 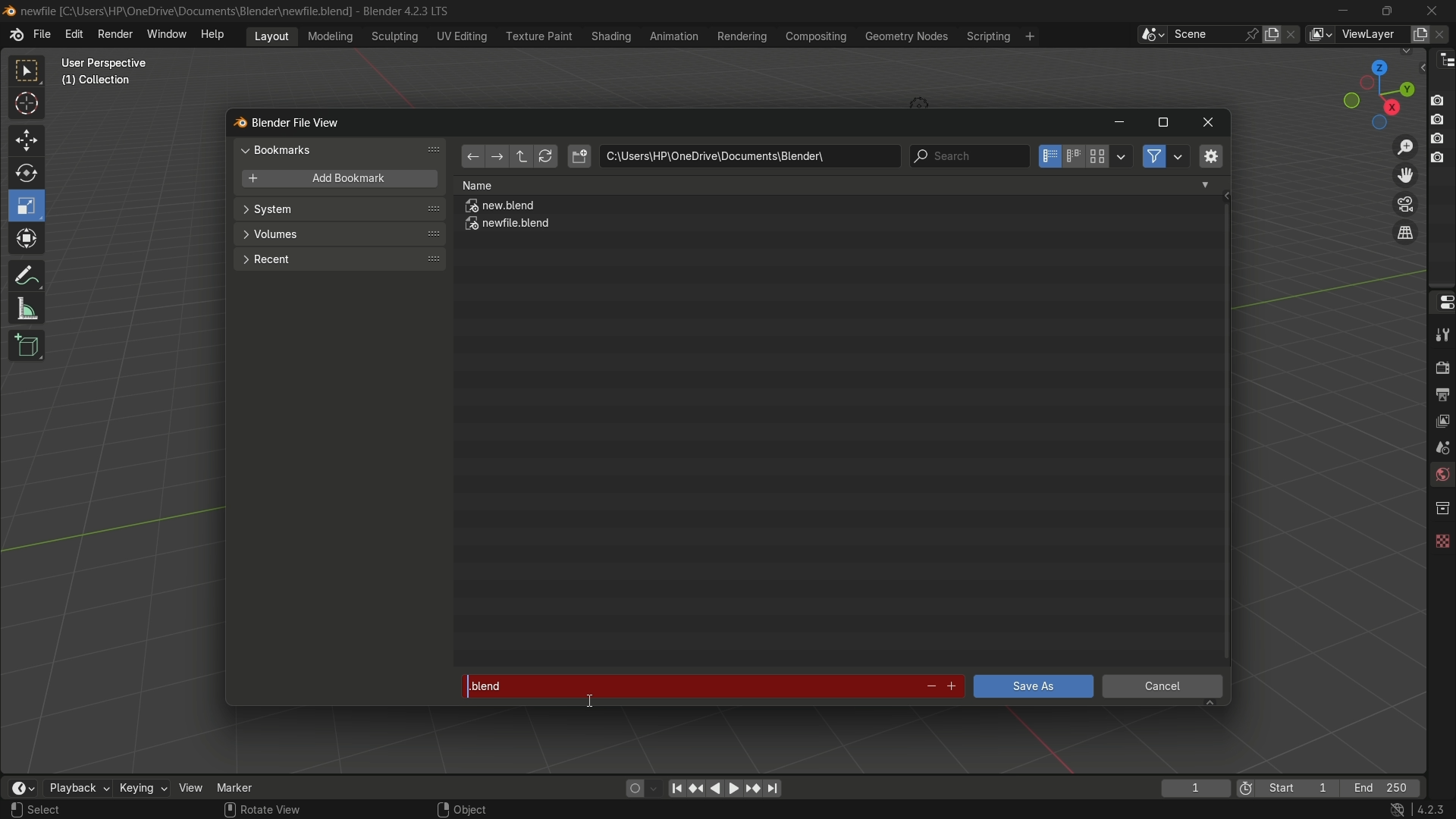 What do you see at coordinates (579, 156) in the screenshot?
I see `new directory` at bounding box center [579, 156].